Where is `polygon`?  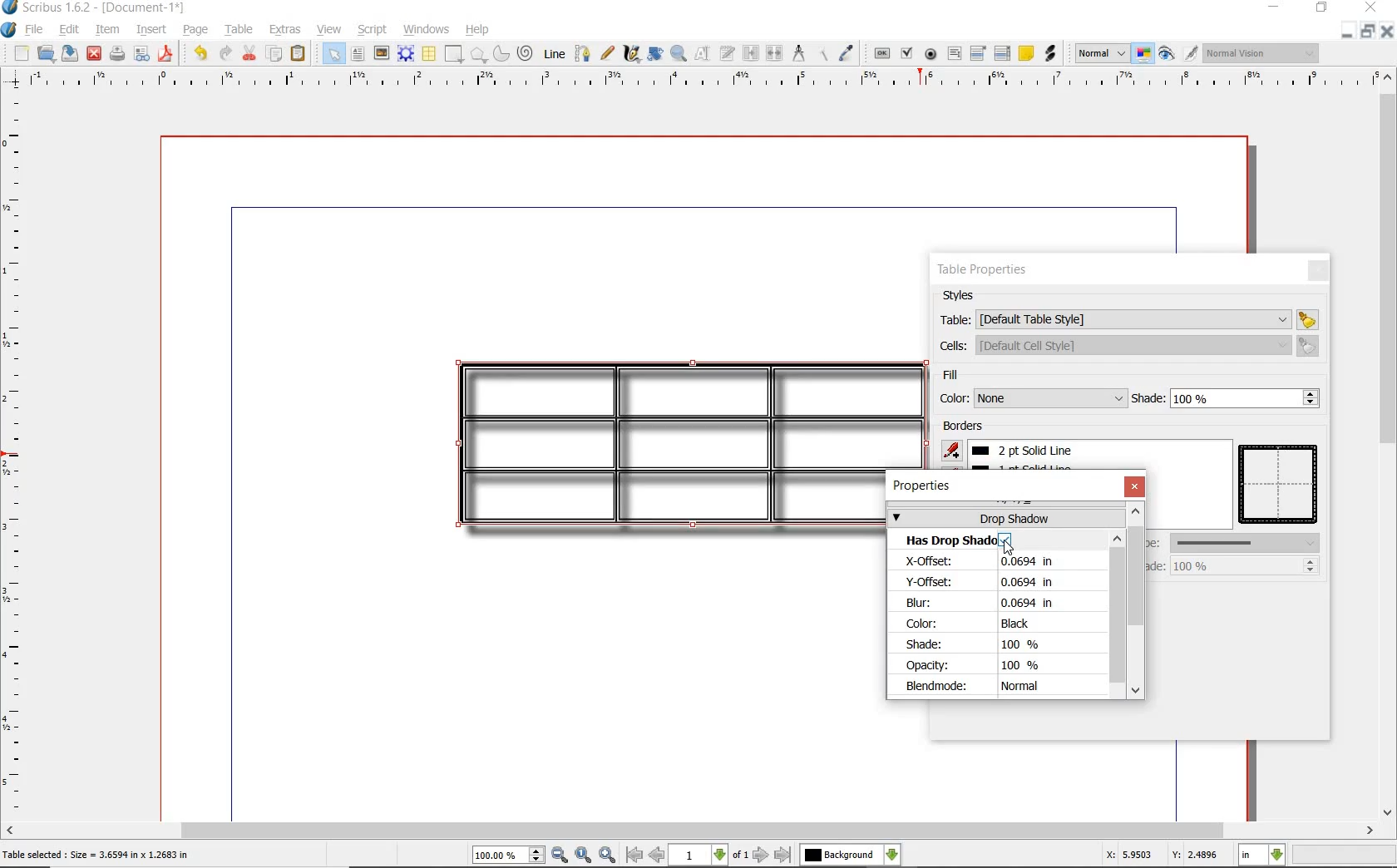
polygon is located at coordinates (479, 55).